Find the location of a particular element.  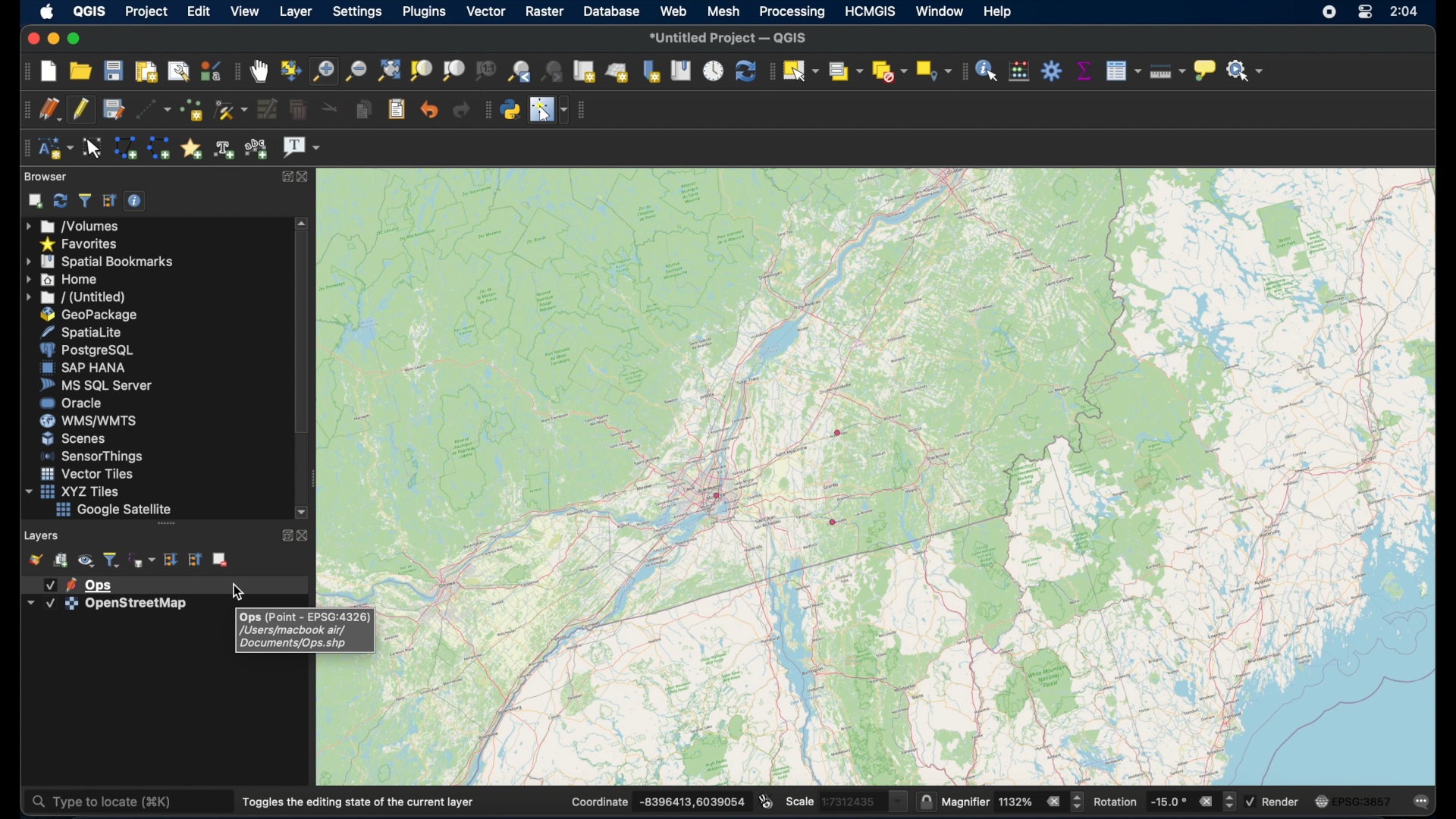

cursor is located at coordinates (239, 590).